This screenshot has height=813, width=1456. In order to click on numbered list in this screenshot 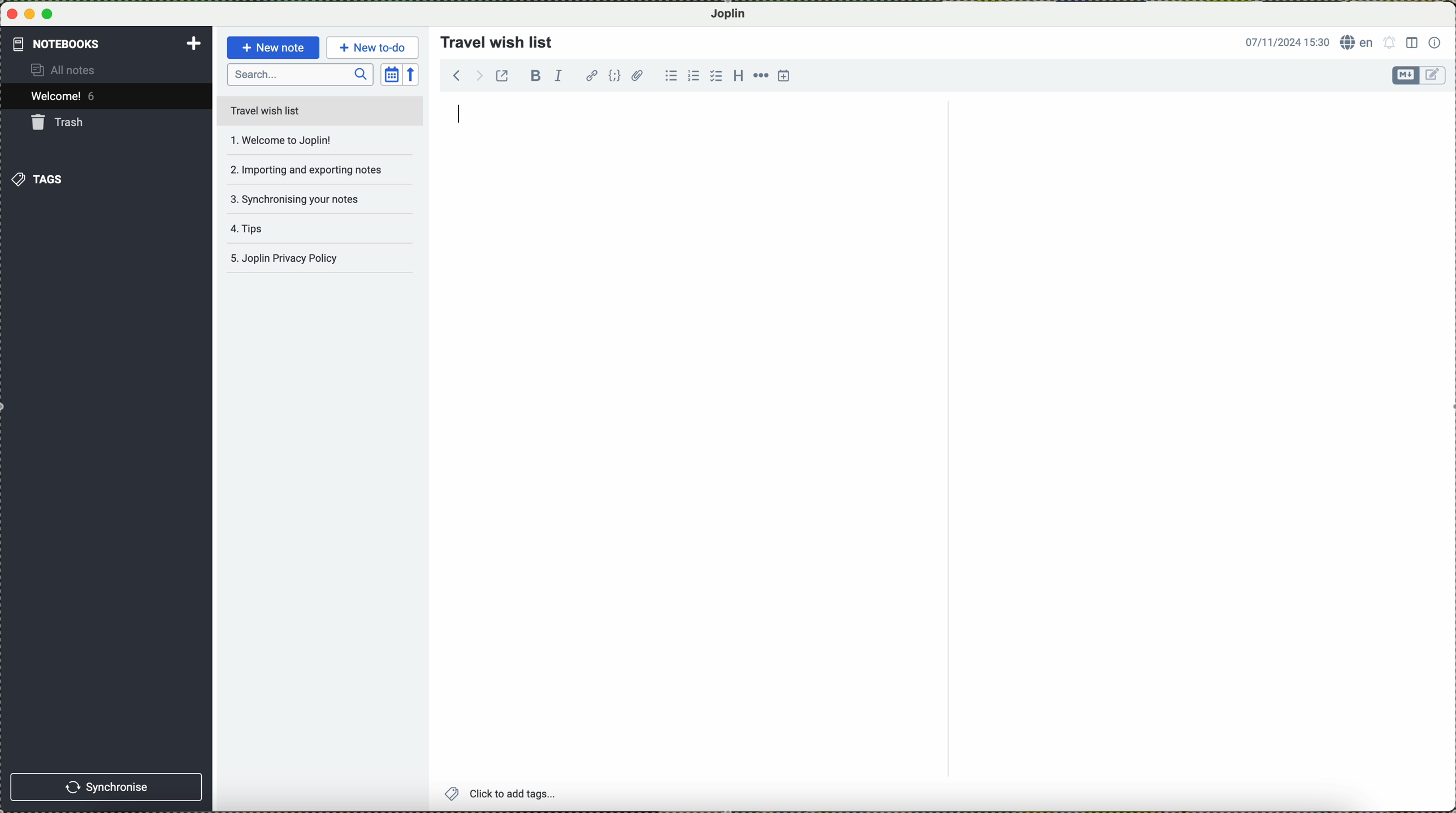, I will do `click(693, 75)`.